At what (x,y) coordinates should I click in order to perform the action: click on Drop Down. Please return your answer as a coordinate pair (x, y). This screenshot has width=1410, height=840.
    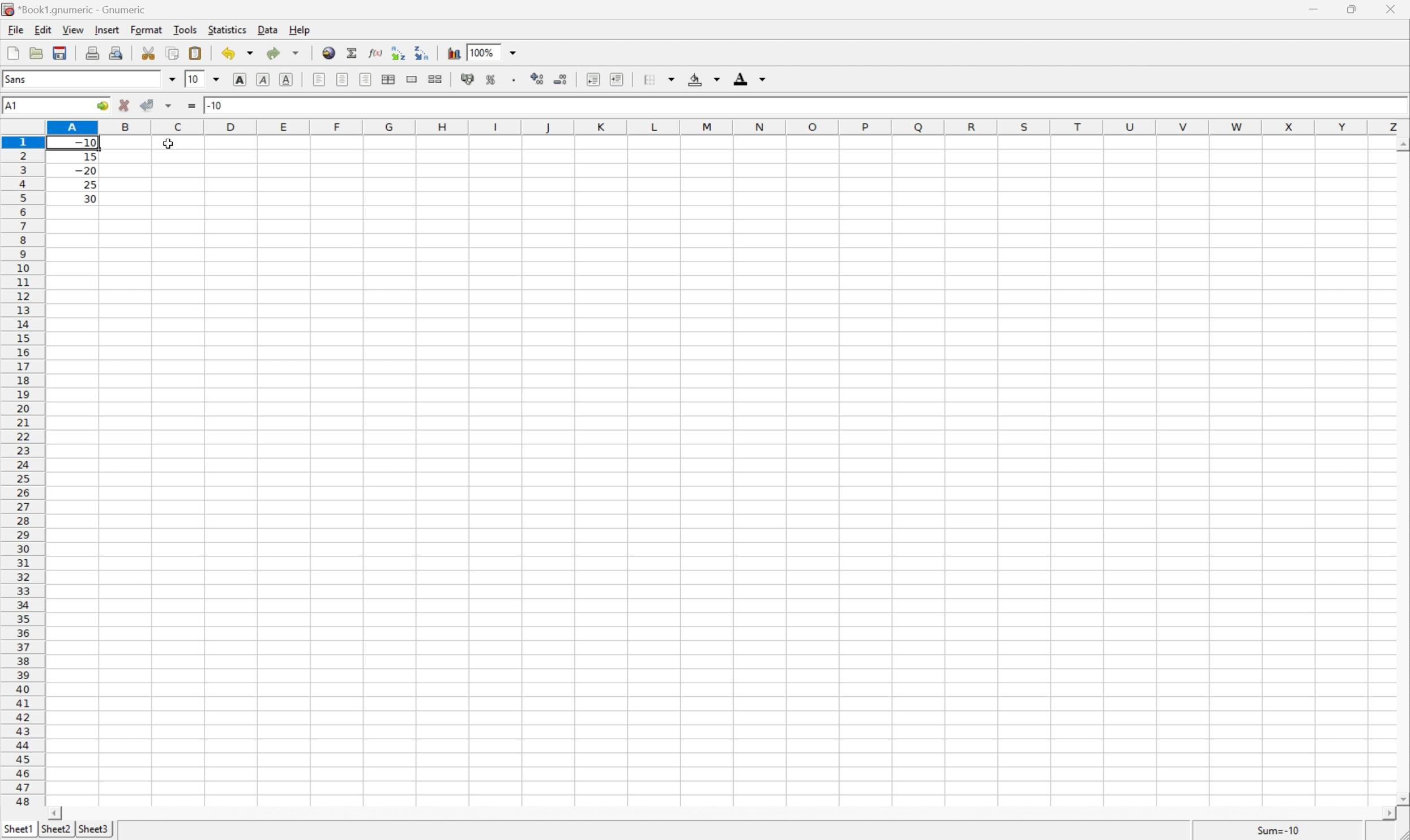
    Looking at the image, I should click on (716, 80).